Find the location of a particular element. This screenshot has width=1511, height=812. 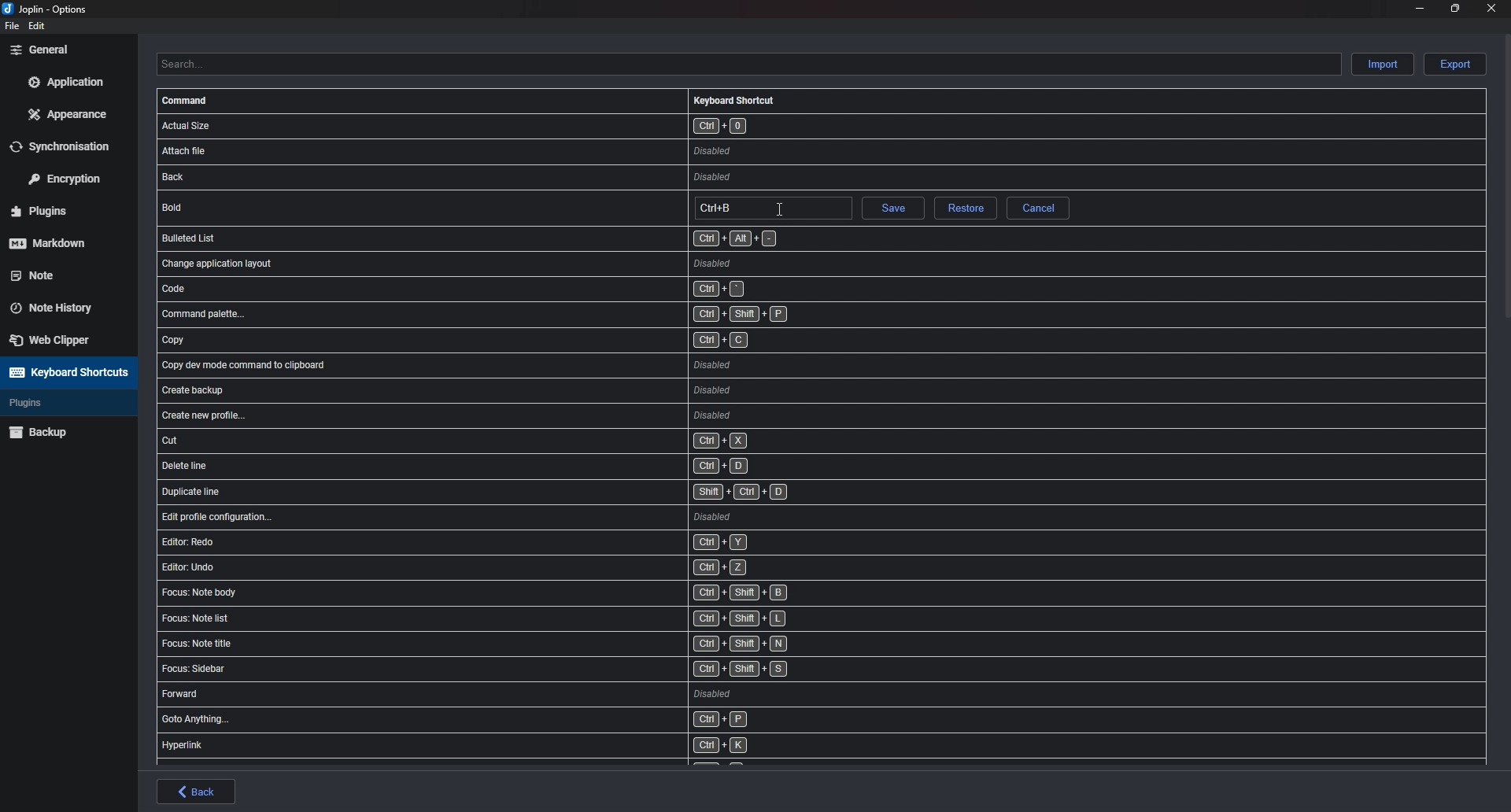

shortcut is located at coordinates (510, 745).